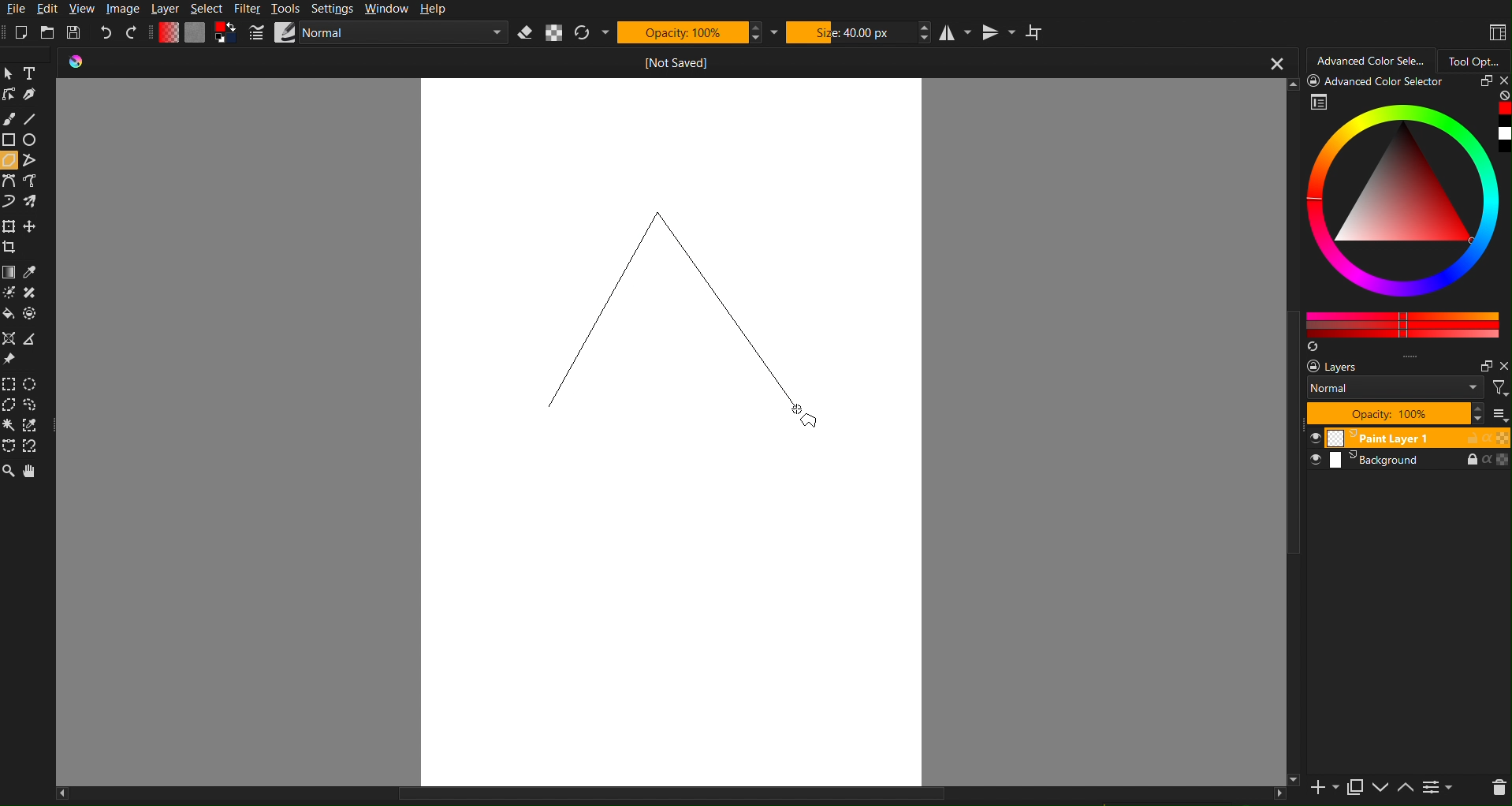  I want to click on Erase, so click(525, 33).